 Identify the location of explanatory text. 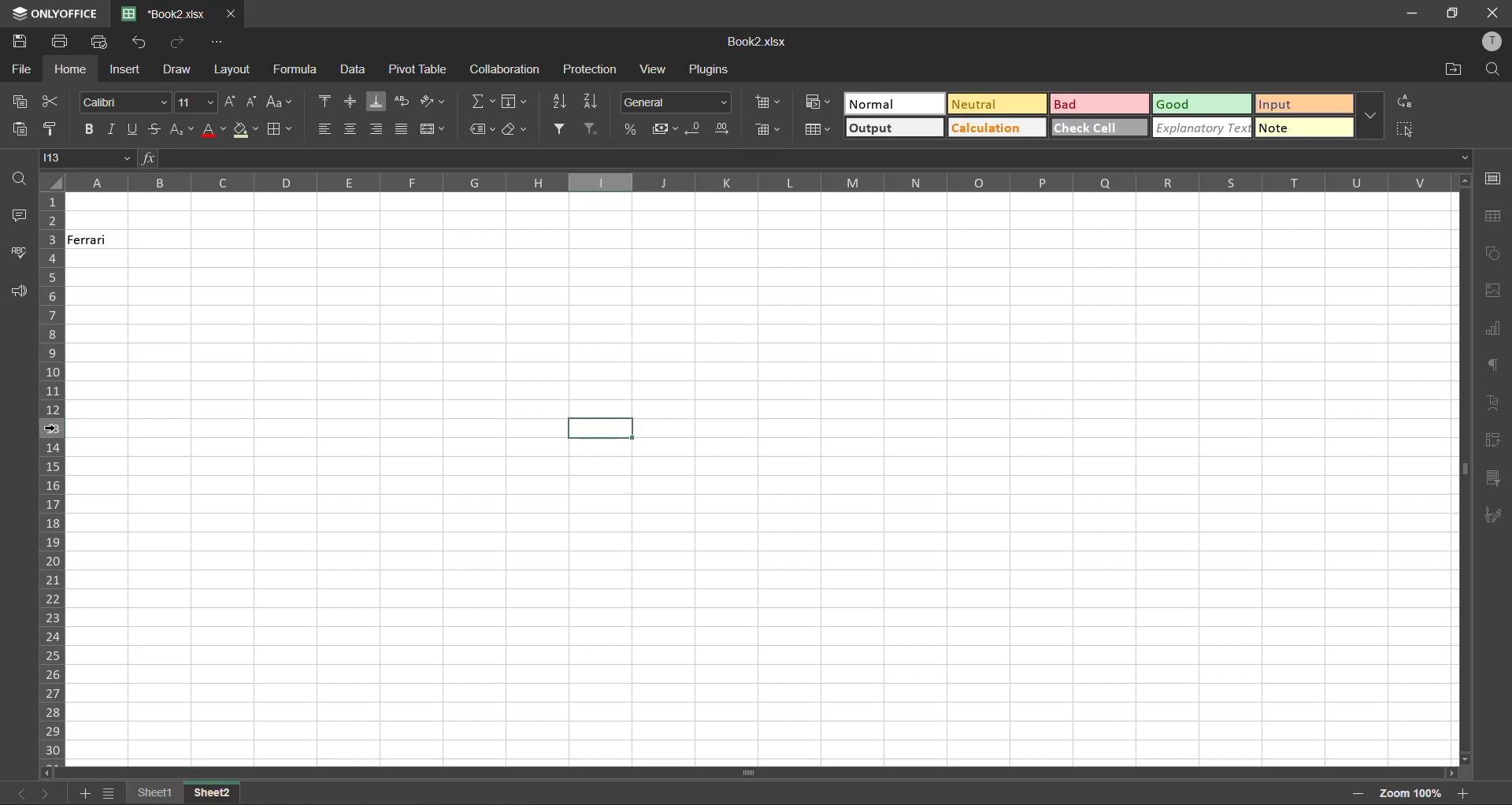
(1204, 128).